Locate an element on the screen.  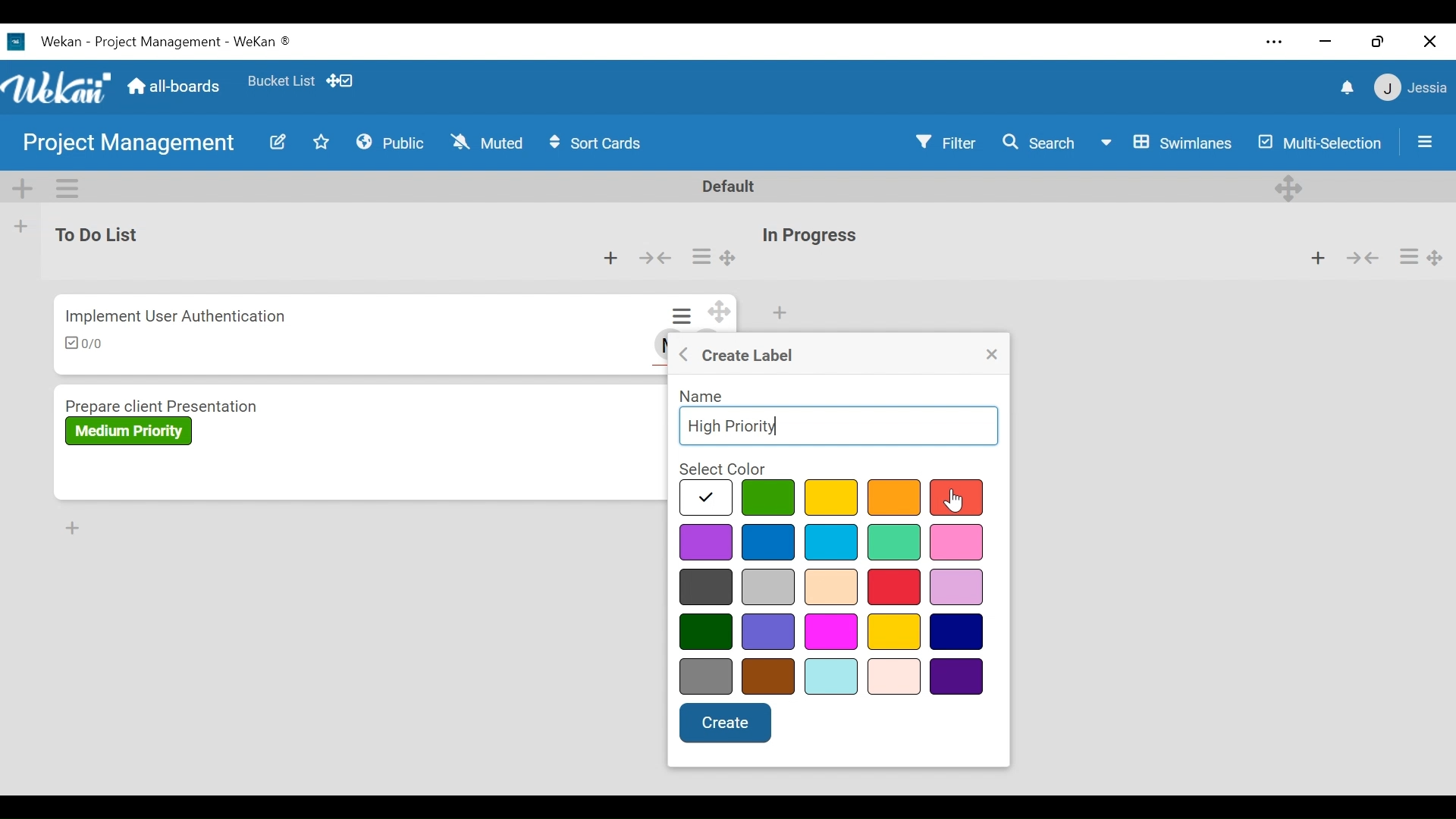
Add card to top of the list is located at coordinates (779, 313).